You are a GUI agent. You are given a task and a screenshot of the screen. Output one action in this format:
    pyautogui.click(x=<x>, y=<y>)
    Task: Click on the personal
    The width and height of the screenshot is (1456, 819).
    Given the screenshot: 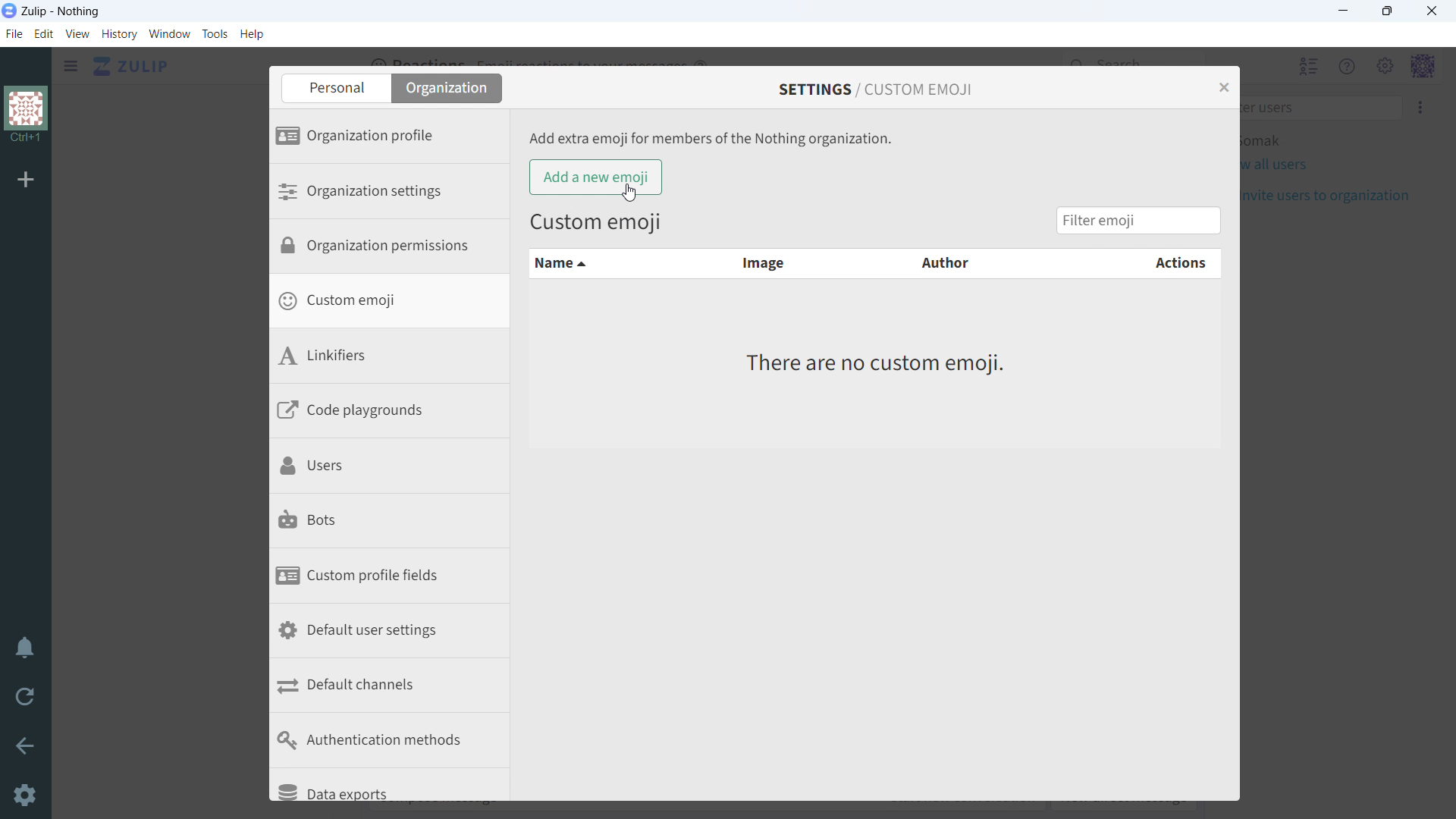 What is the action you would take?
    pyautogui.click(x=334, y=88)
    